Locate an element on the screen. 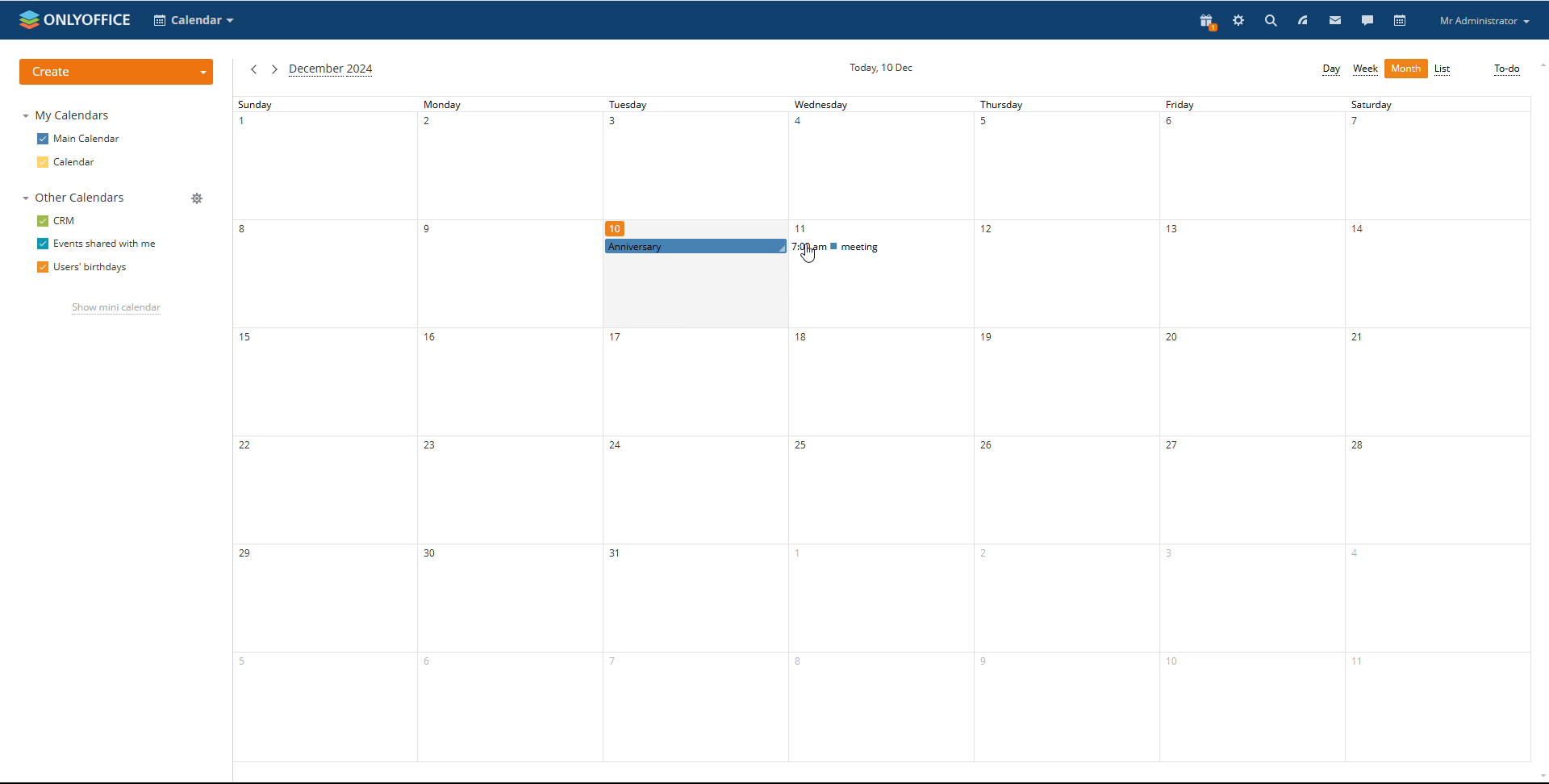 This screenshot has height=784, width=1549. friday is located at coordinates (1248, 429).